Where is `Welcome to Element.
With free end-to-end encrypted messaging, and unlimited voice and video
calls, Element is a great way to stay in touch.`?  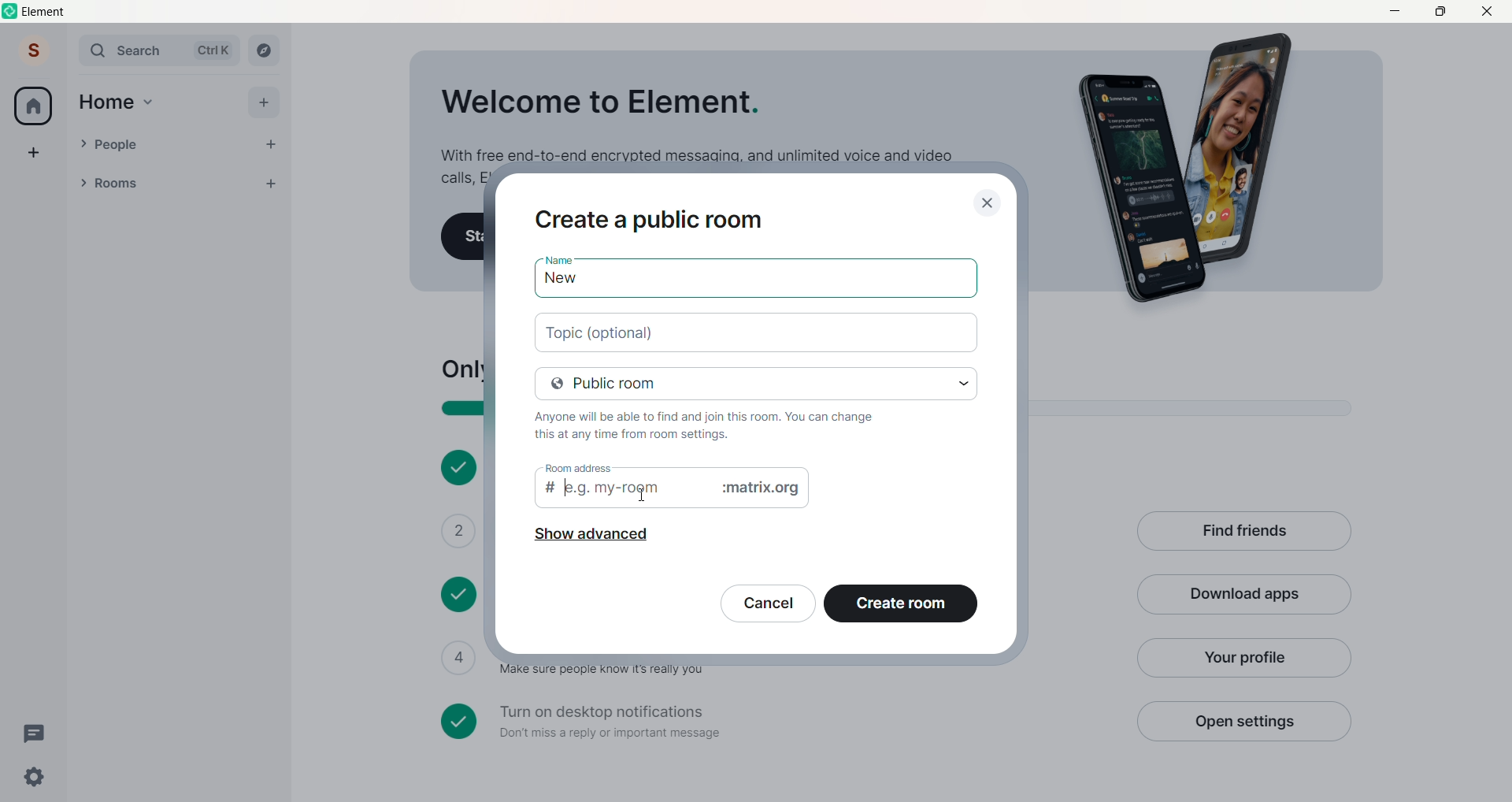 Welcome to Element.
With free end-to-end encrypted messaging, and unlimited voice and video
calls, Element is a great way to stay in touch. is located at coordinates (695, 120).